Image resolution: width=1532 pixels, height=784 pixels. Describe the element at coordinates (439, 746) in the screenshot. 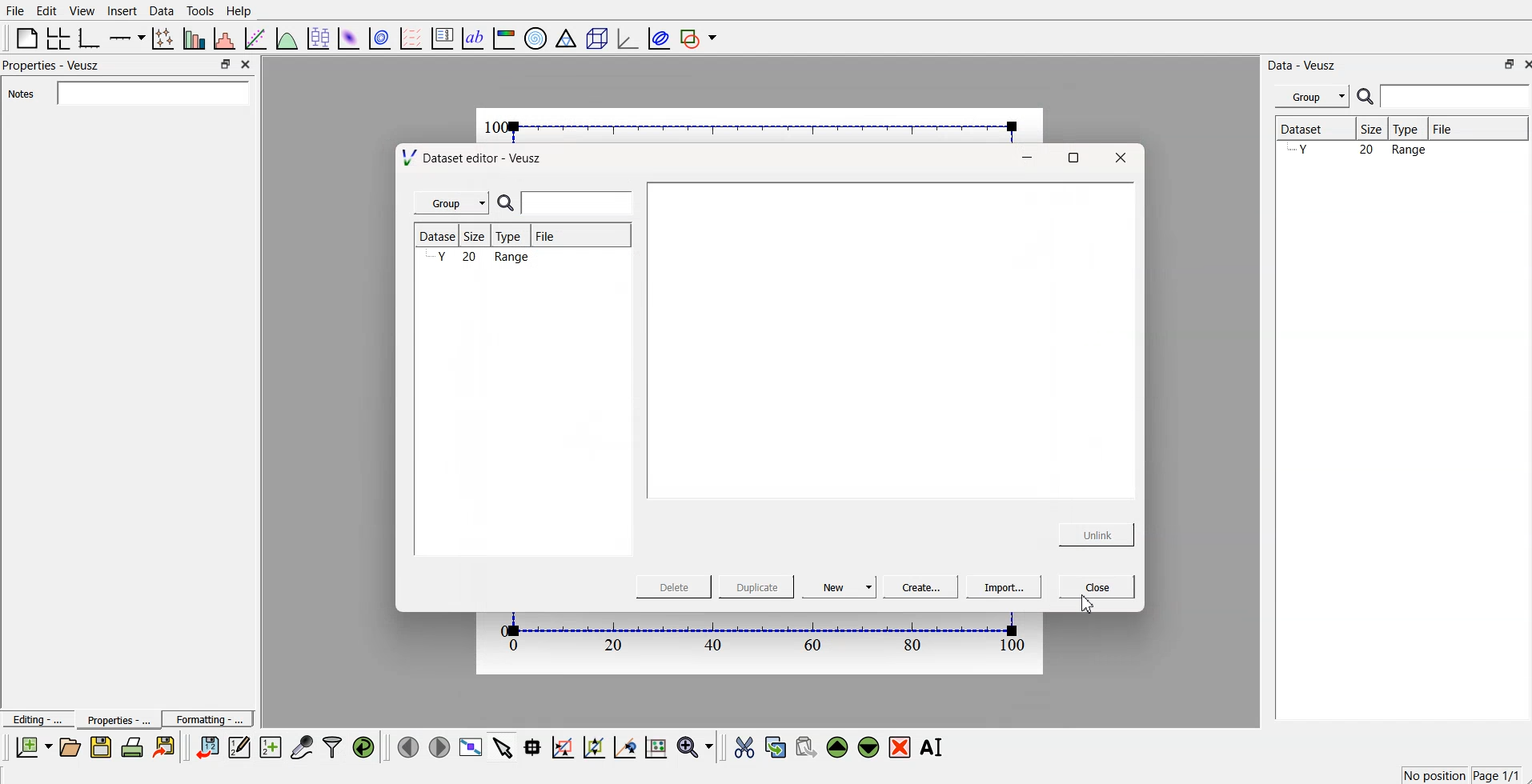

I see `Move to next page` at that location.